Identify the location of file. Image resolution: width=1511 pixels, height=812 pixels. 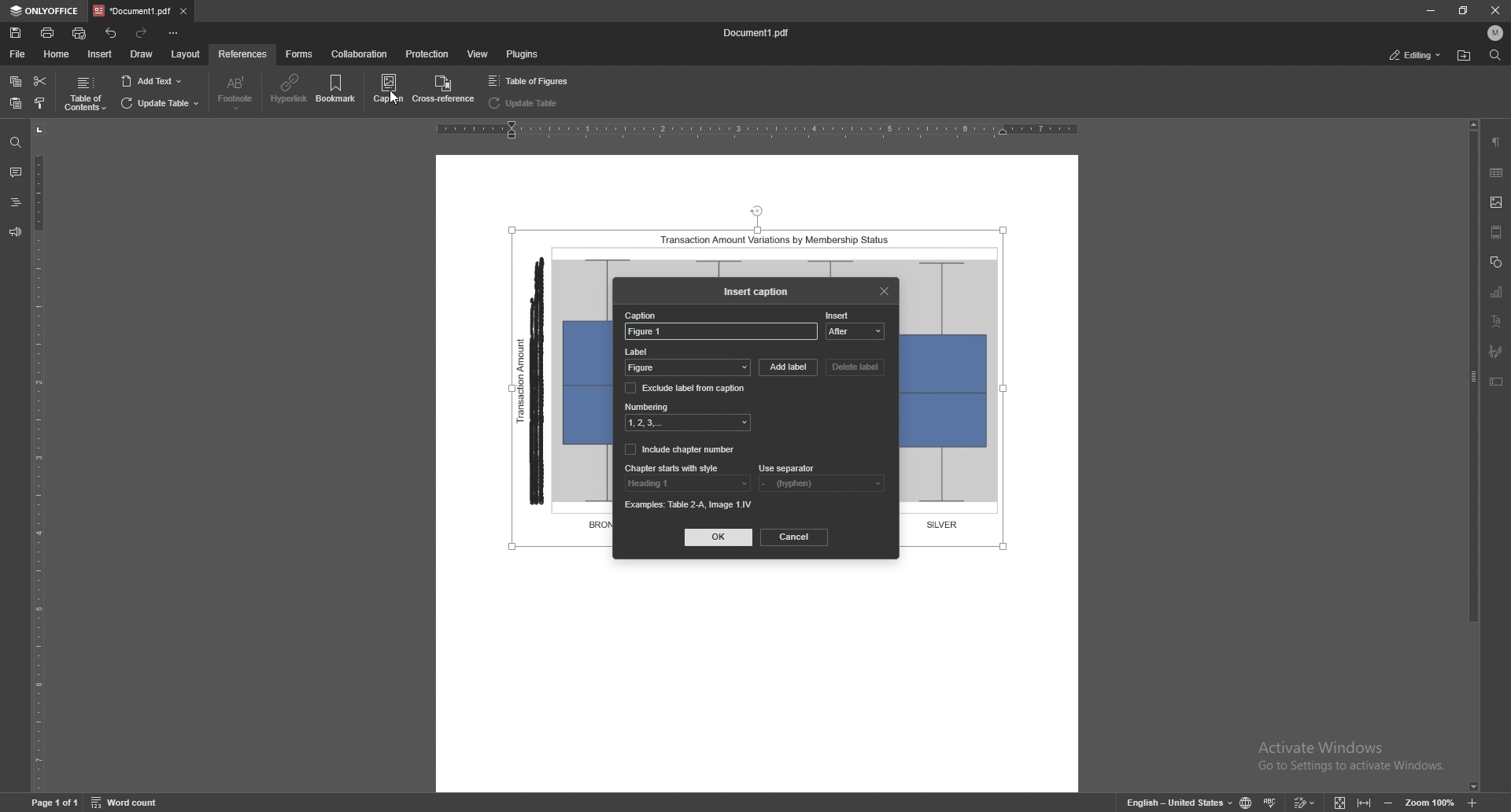
(19, 54).